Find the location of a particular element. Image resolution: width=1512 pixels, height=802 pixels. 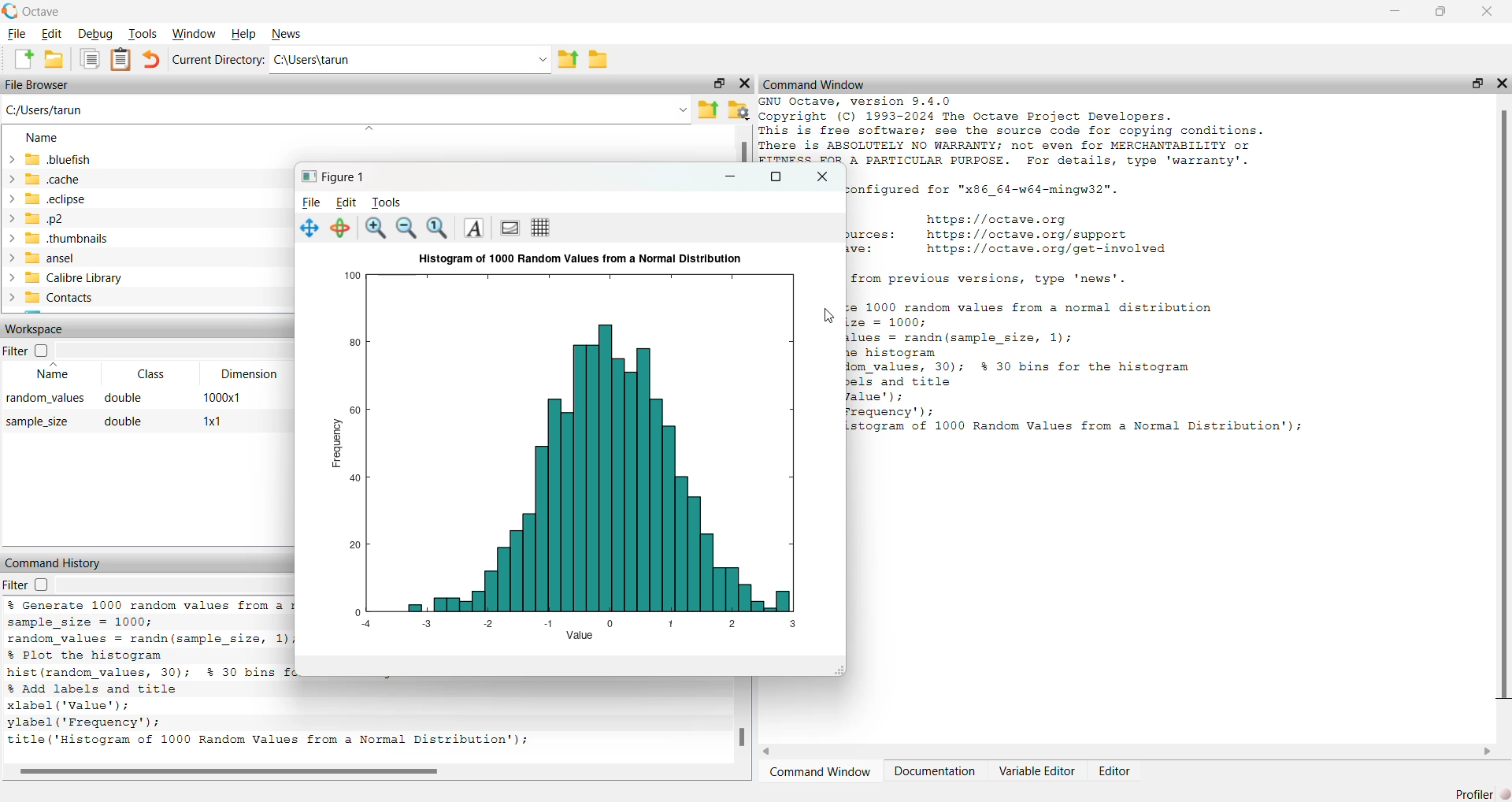

Histogram of 1000 Random Values from a Normal Distribution is located at coordinates (580, 260).